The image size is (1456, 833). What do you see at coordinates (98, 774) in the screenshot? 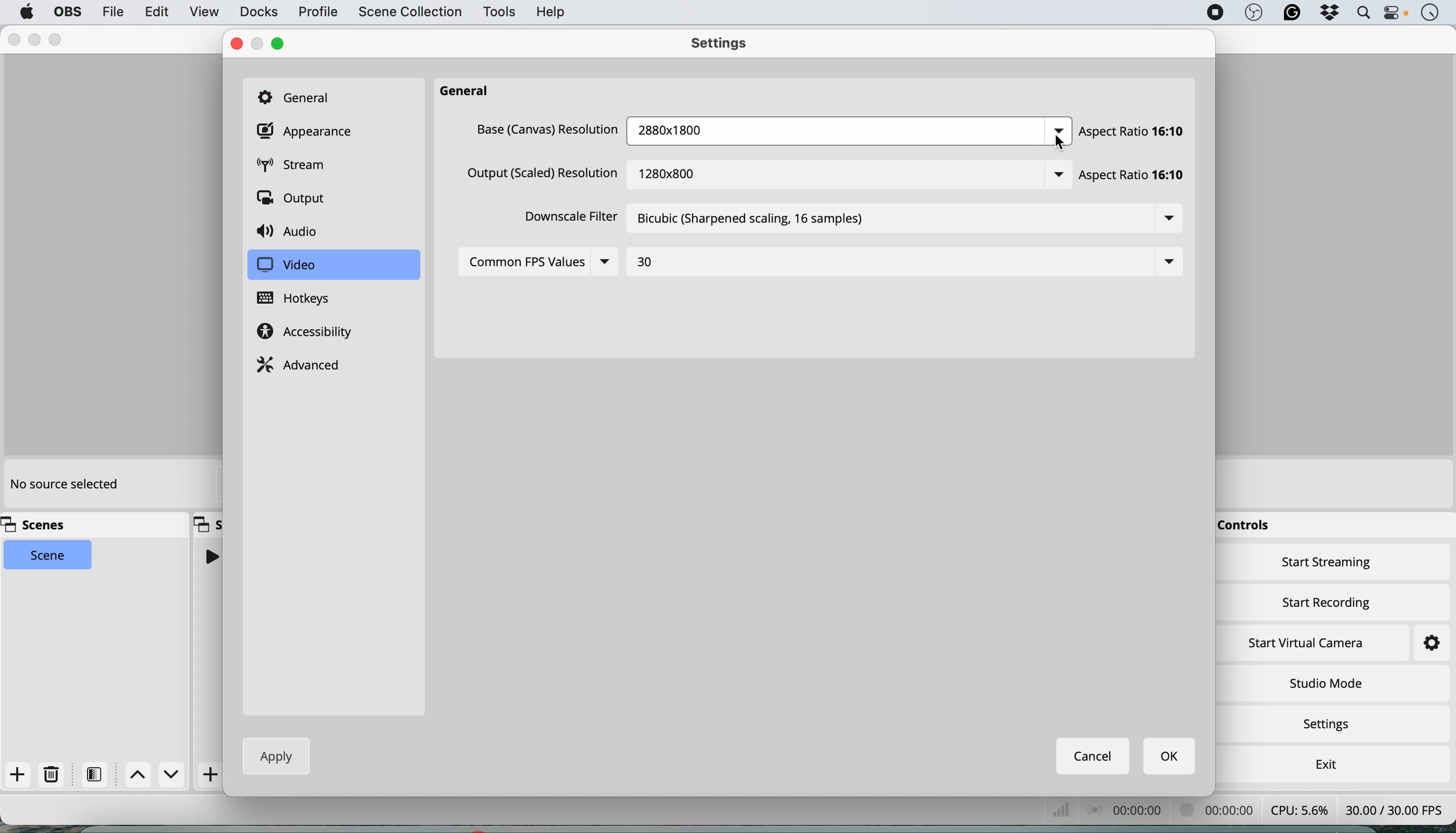
I see `filters` at bounding box center [98, 774].